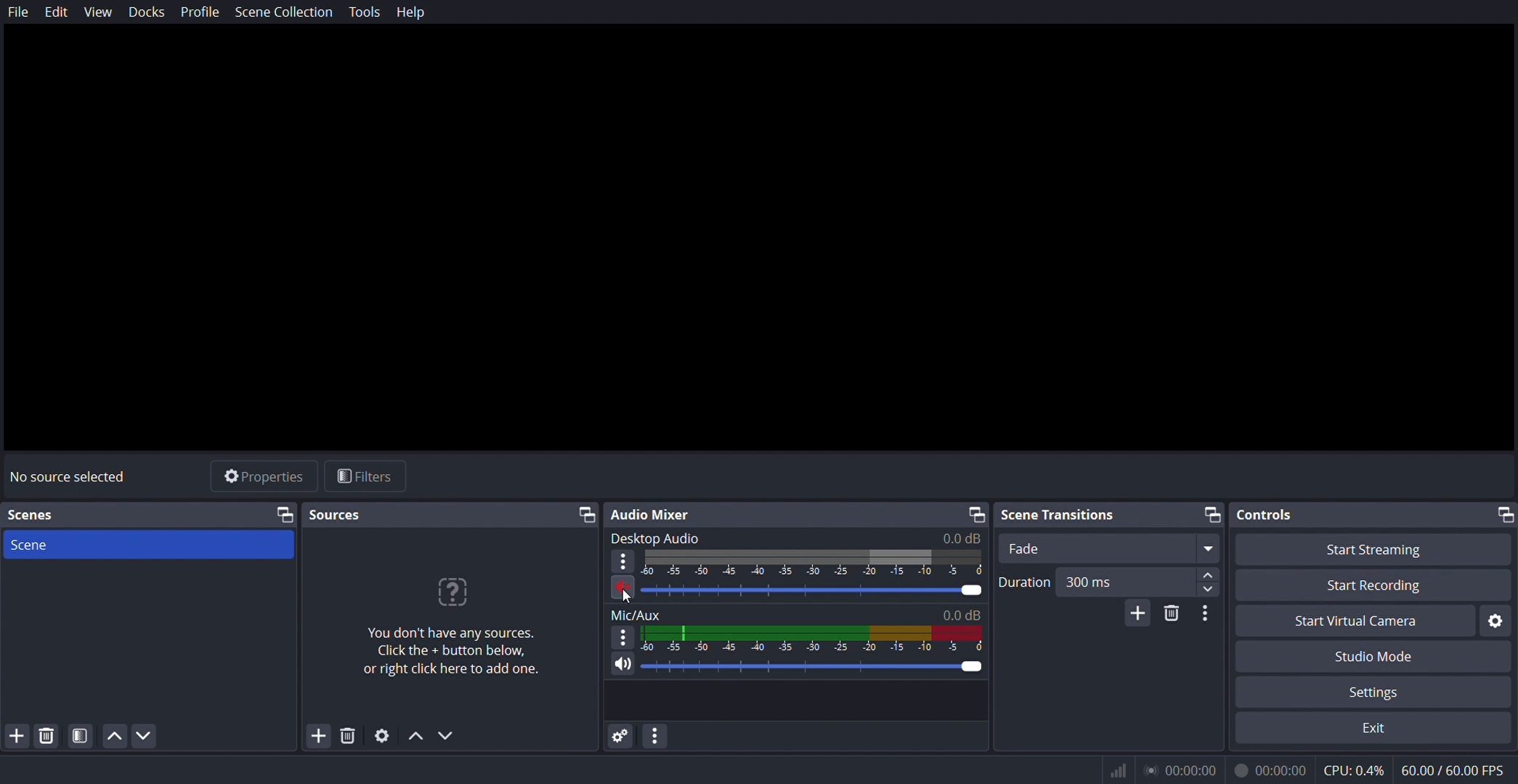 Image resolution: width=1518 pixels, height=784 pixels. What do you see at coordinates (797, 592) in the screenshot?
I see `volume slider` at bounding box center [797, 592].